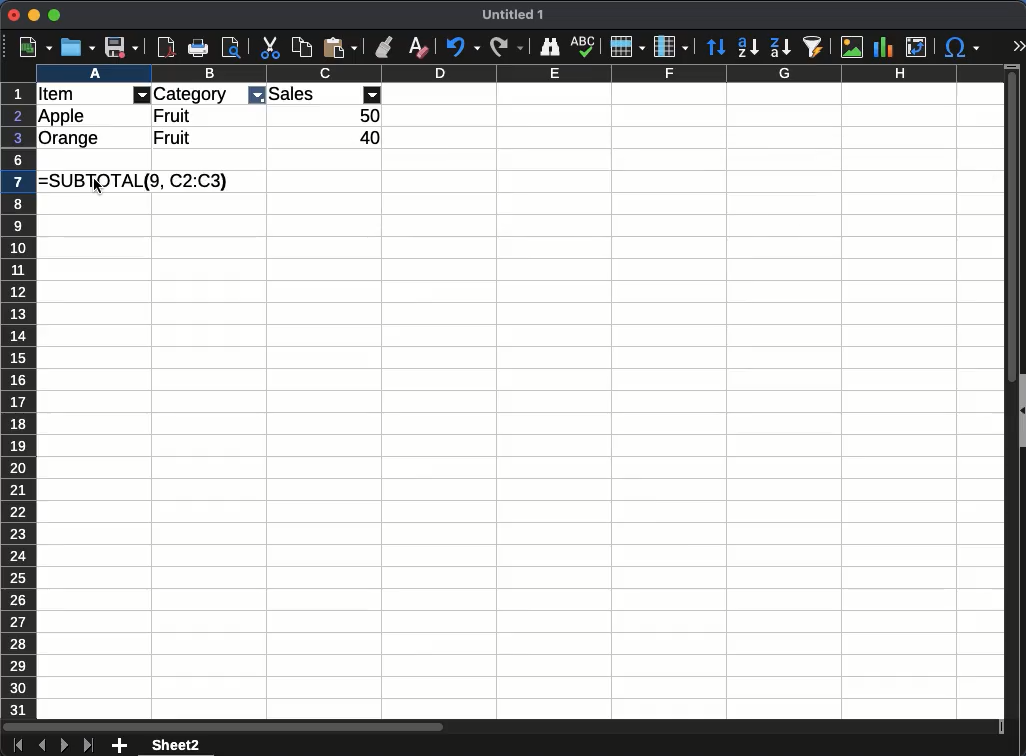  What do you see at coordinates (13, 15) in the screenshot?
I see `close` at bounding box center [13, 15].